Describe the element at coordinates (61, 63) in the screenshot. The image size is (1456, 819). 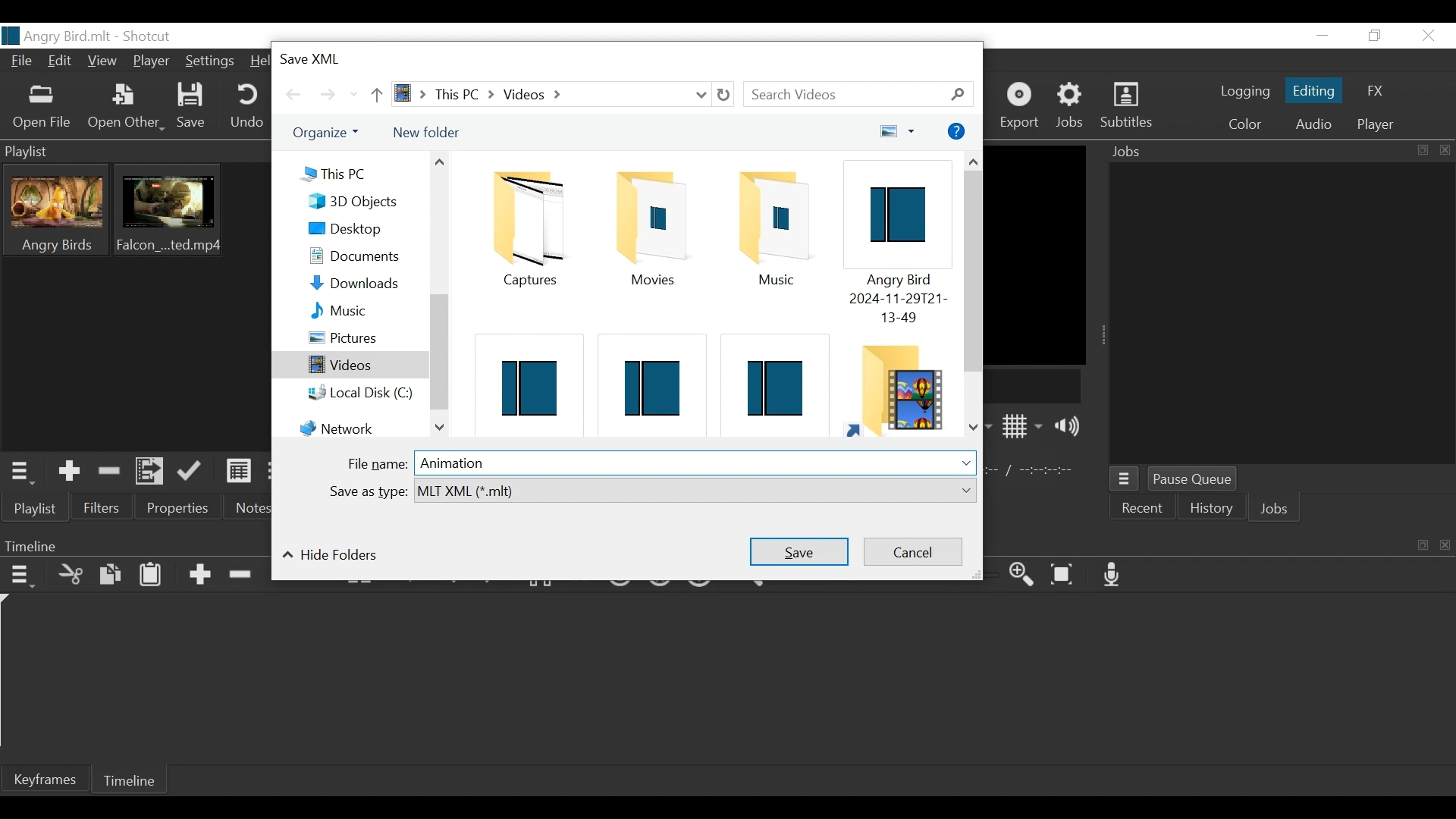
I see `Edit` at that location.